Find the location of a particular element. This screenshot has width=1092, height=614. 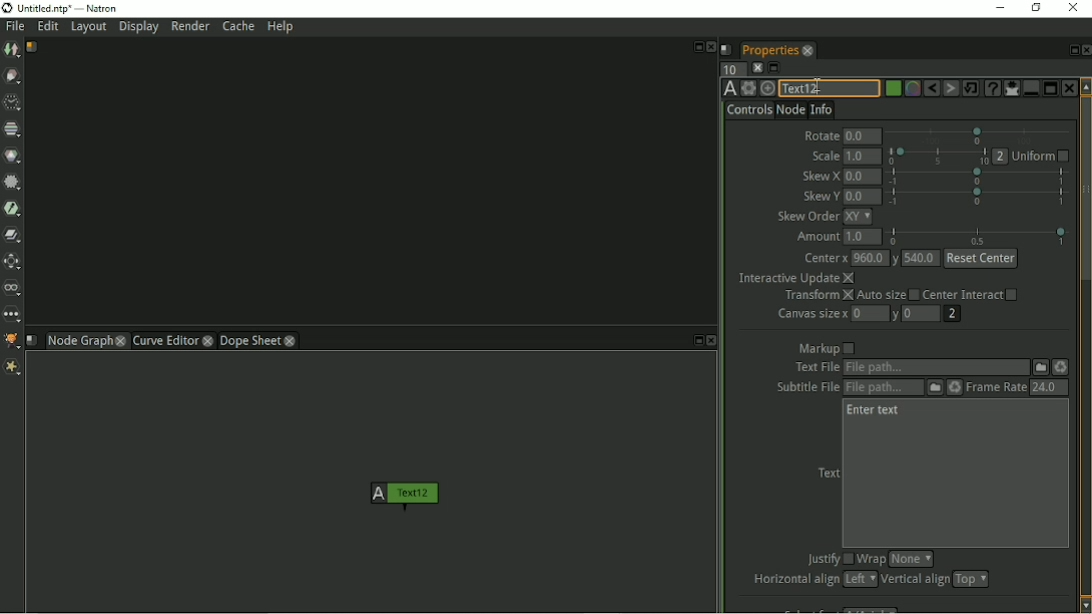

selection bar is located at coordinates (977, 176).